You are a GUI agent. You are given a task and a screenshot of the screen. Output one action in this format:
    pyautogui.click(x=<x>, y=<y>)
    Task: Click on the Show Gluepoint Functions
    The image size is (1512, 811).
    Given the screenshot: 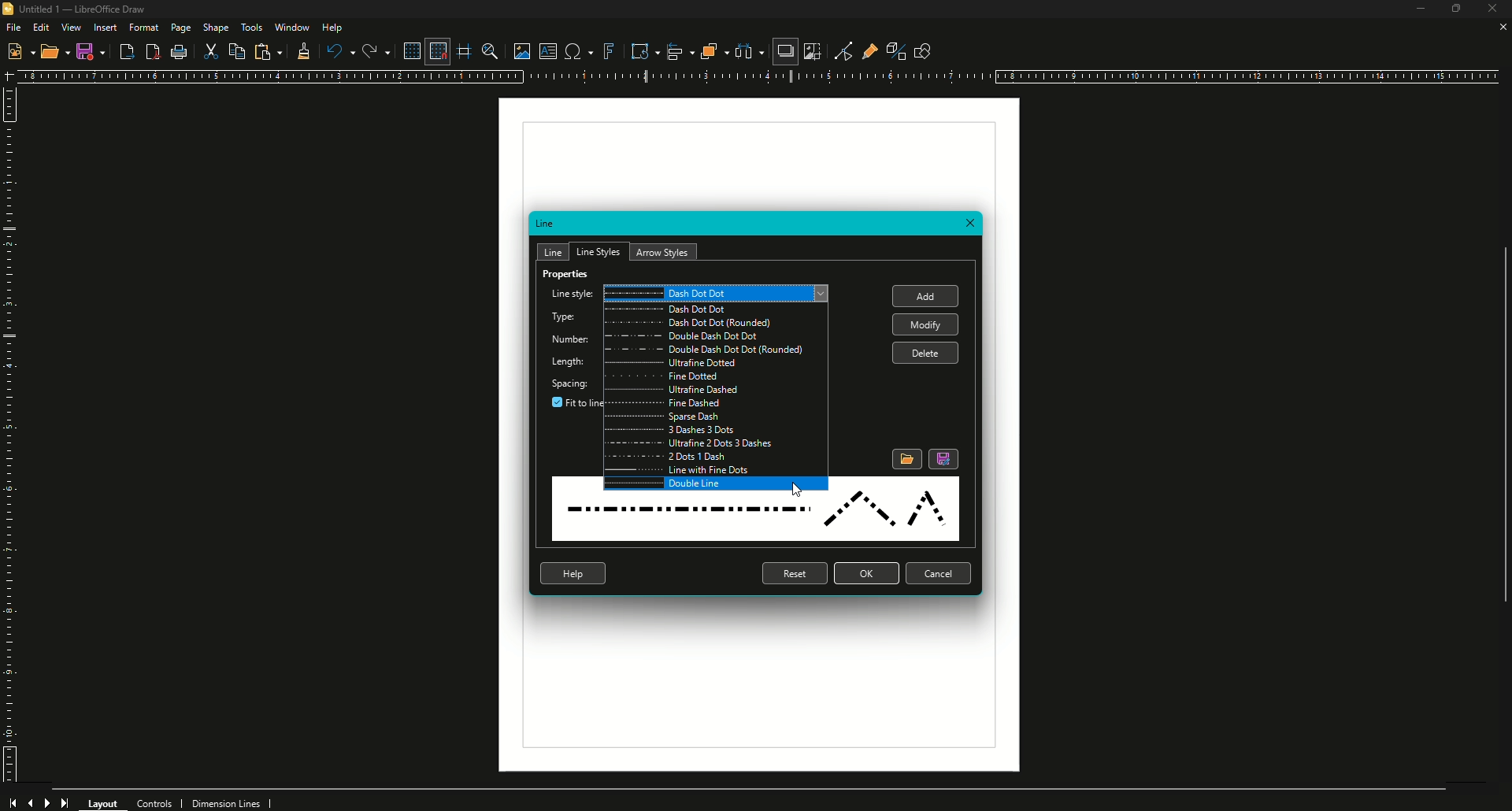 What is the action you would take?
    pyautogui.click(x=865, y=50)
    